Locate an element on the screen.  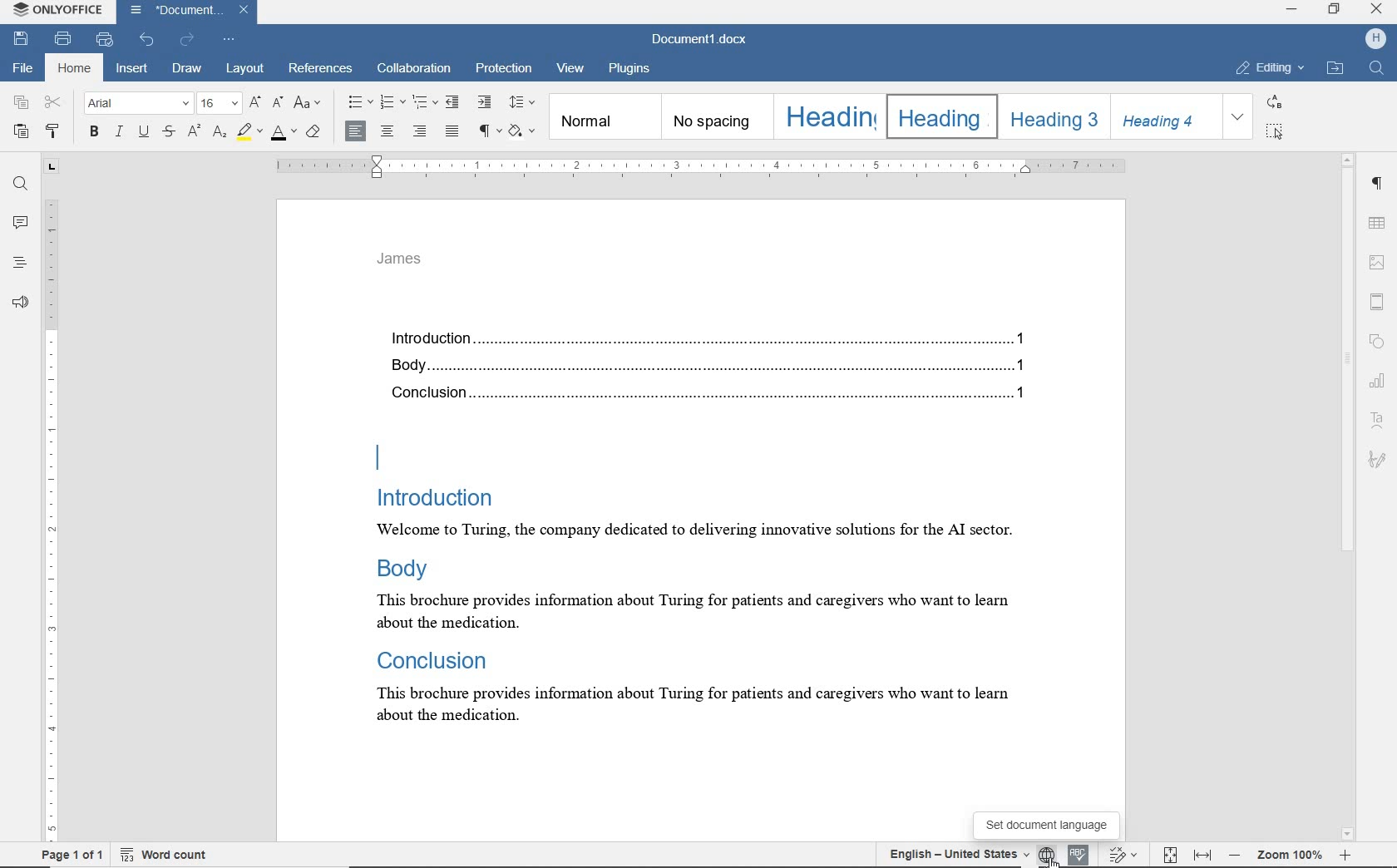
redo is located at coordinates (187, 40).